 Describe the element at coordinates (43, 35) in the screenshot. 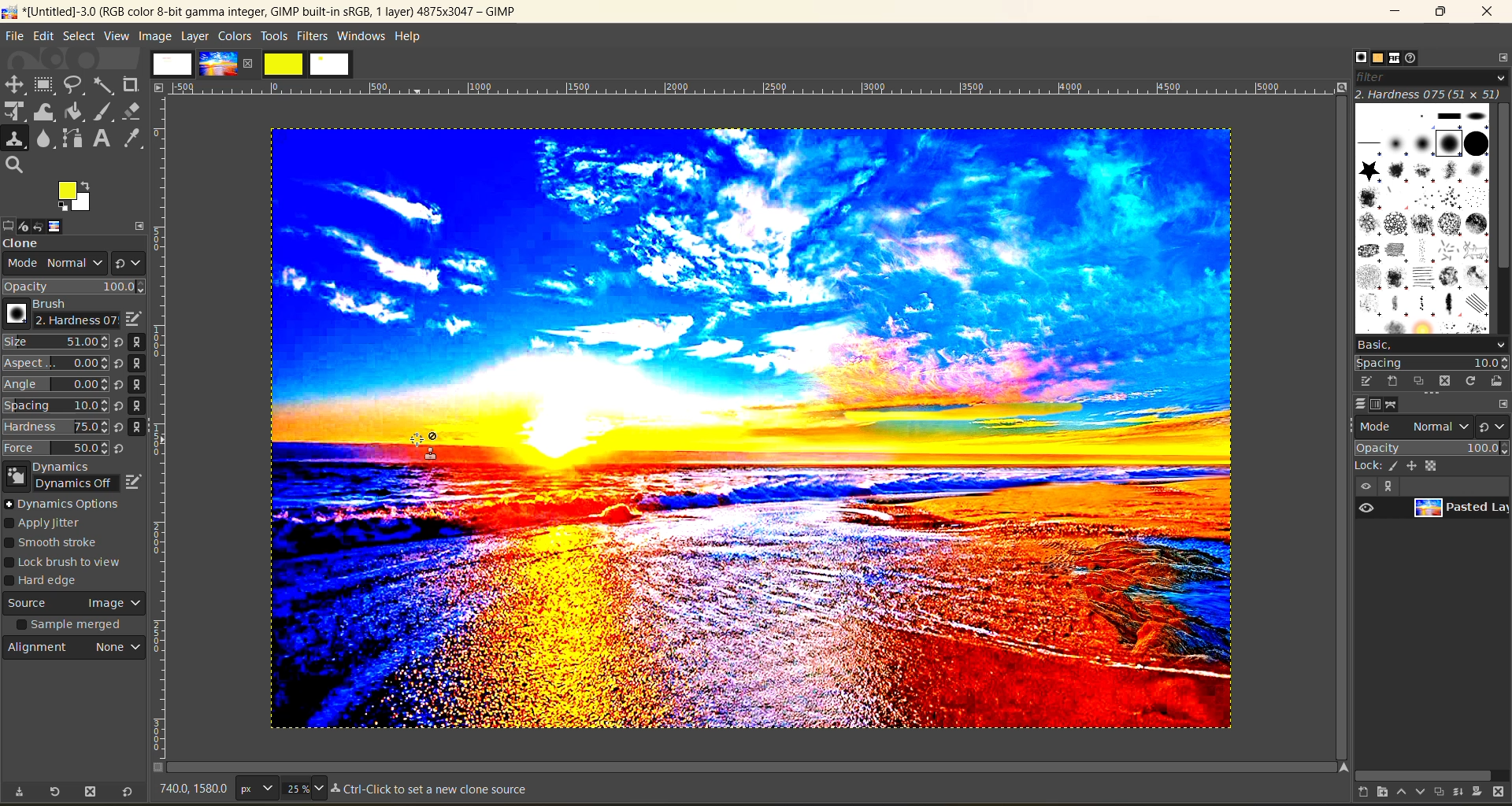

I see `edit` at that location.